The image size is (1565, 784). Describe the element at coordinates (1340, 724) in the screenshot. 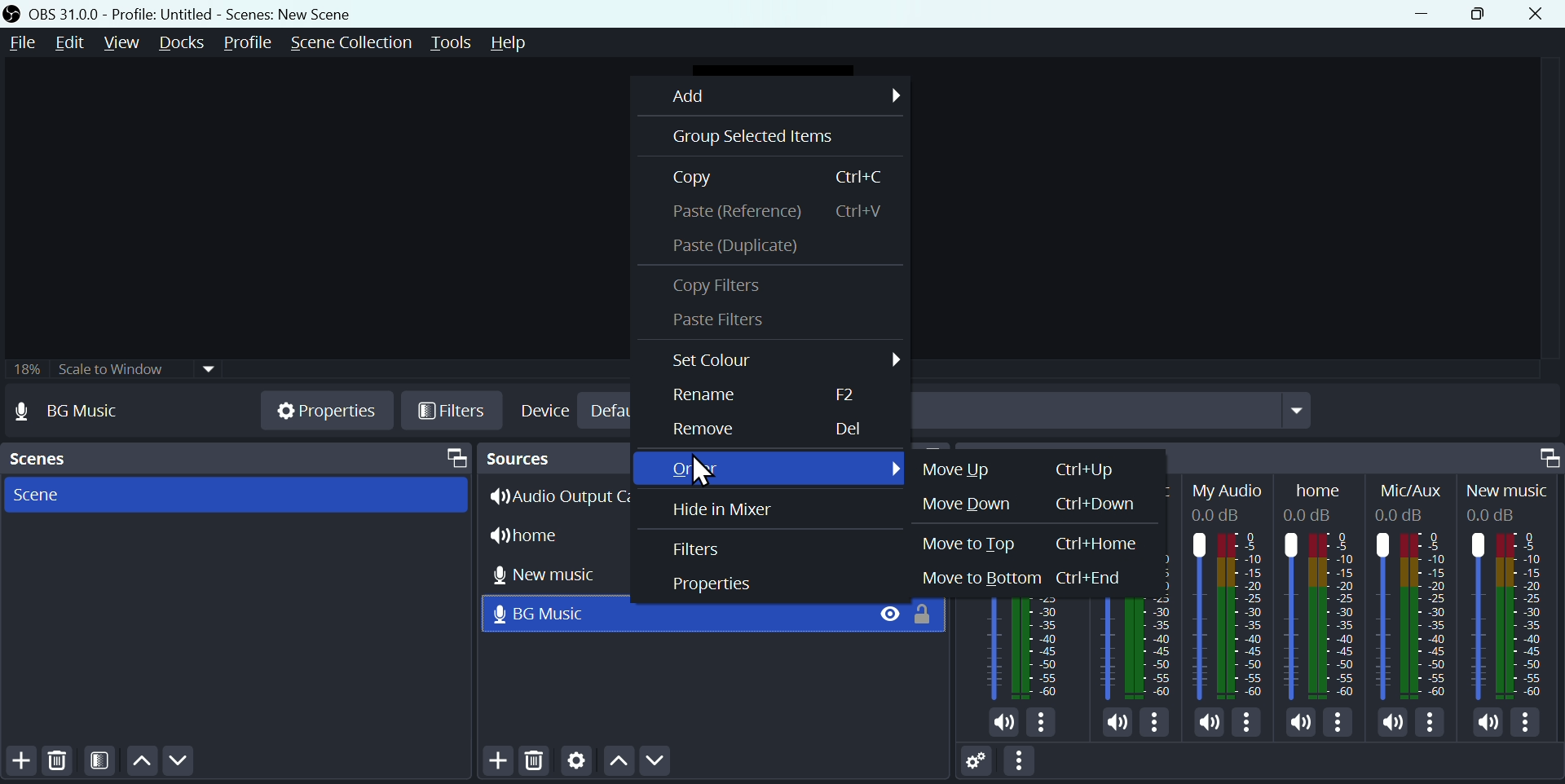

I see `More` at that location.